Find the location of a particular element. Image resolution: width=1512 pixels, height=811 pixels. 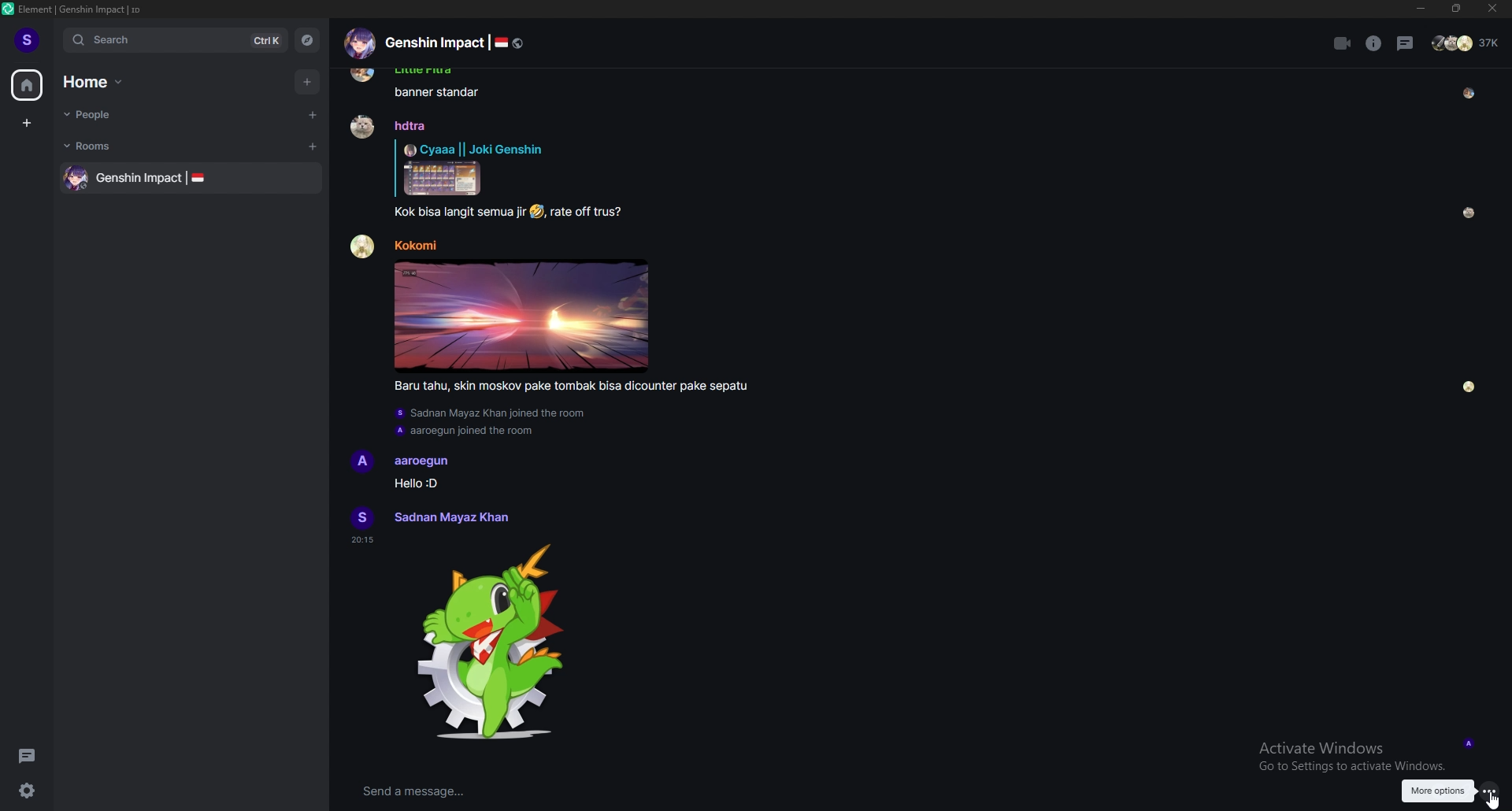

Indonesian flag is located at coordinates (198, 177).